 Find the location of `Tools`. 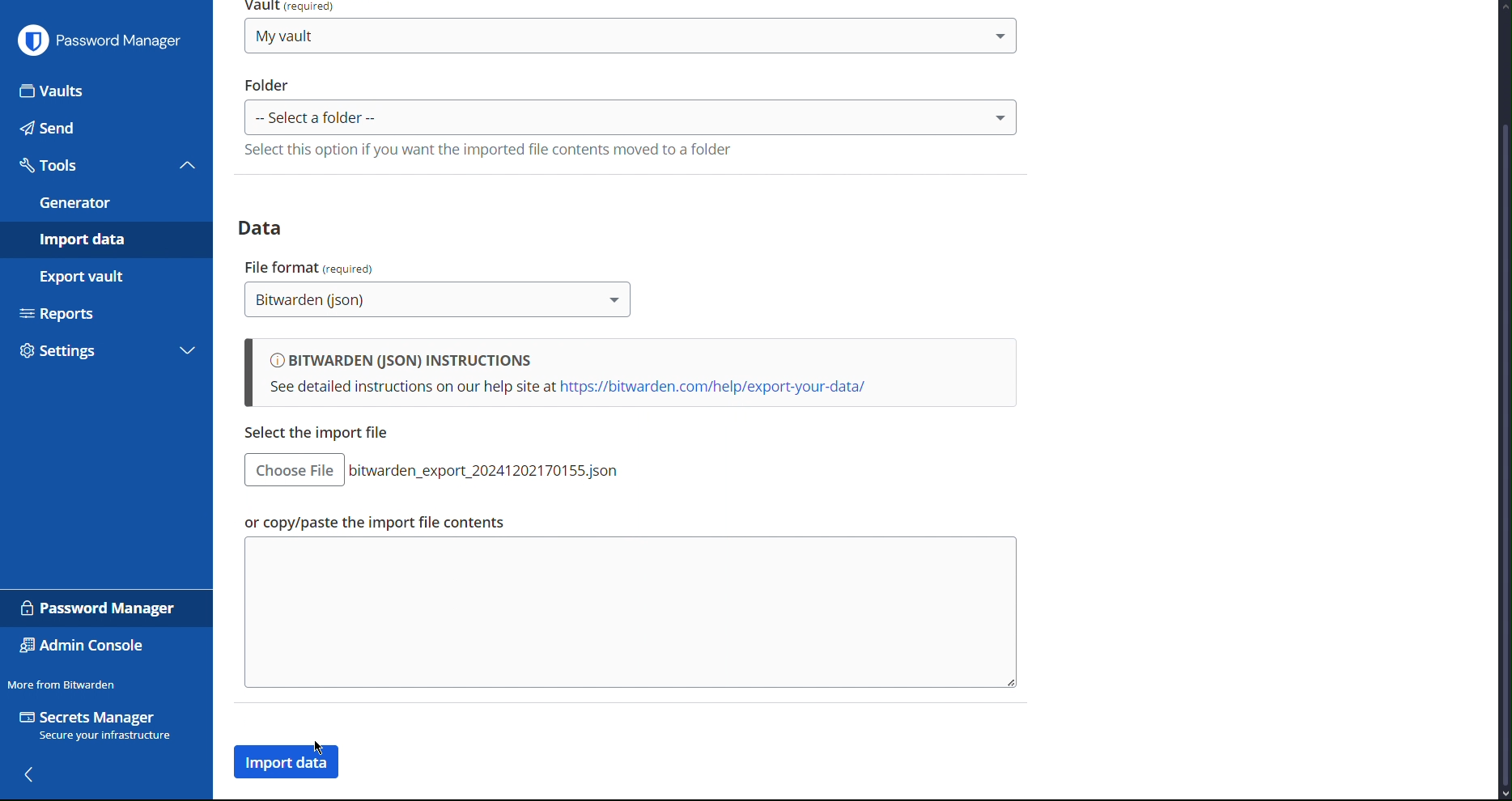

Tools is located at coordinates (86, 165).